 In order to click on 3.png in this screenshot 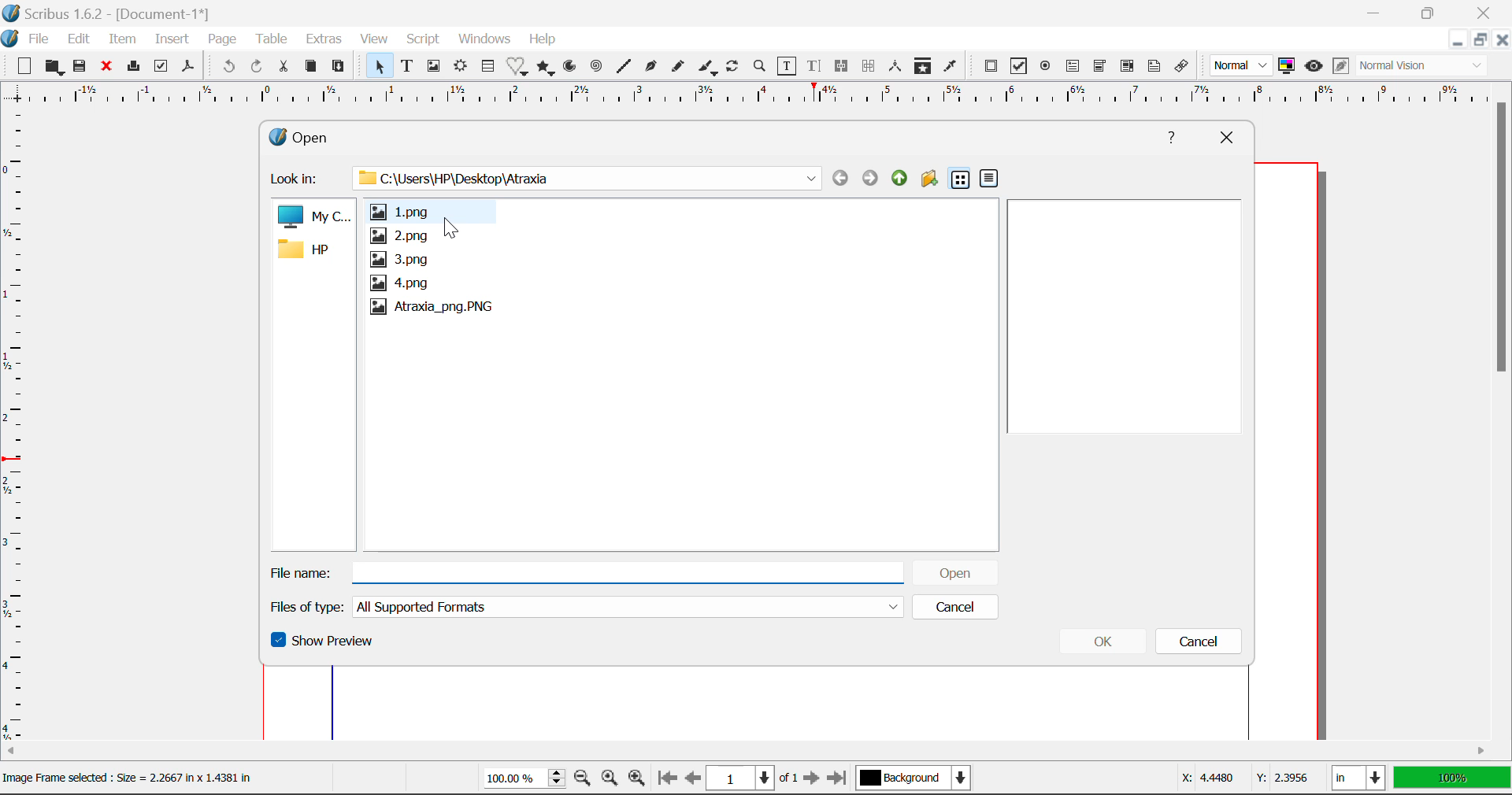, I will do `click(402, 259)`.